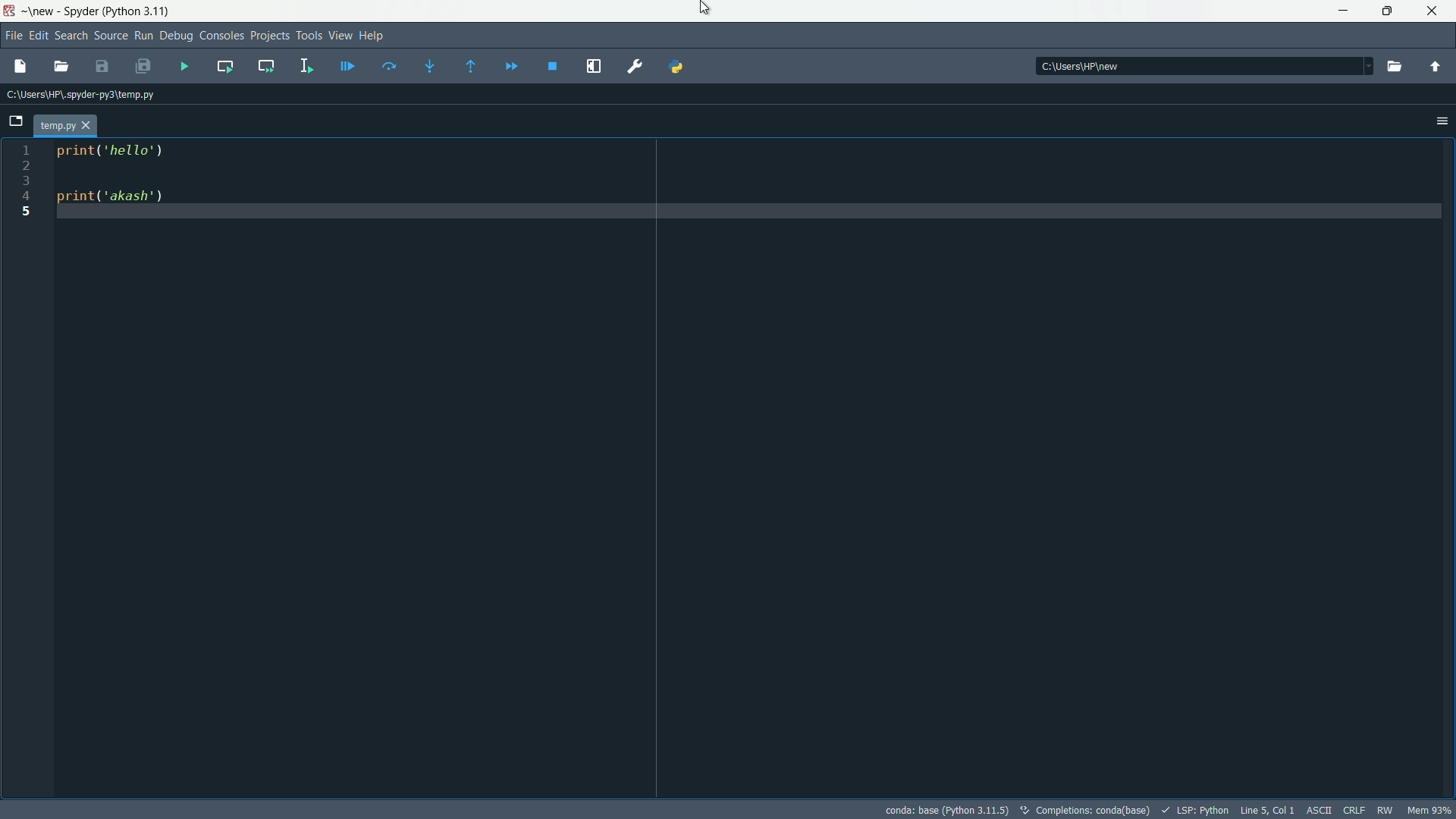  What do you see at coordinates (265, 66) in the screenshot?
I see `run current cell and go to the next one` at bounding box center [265, 66].